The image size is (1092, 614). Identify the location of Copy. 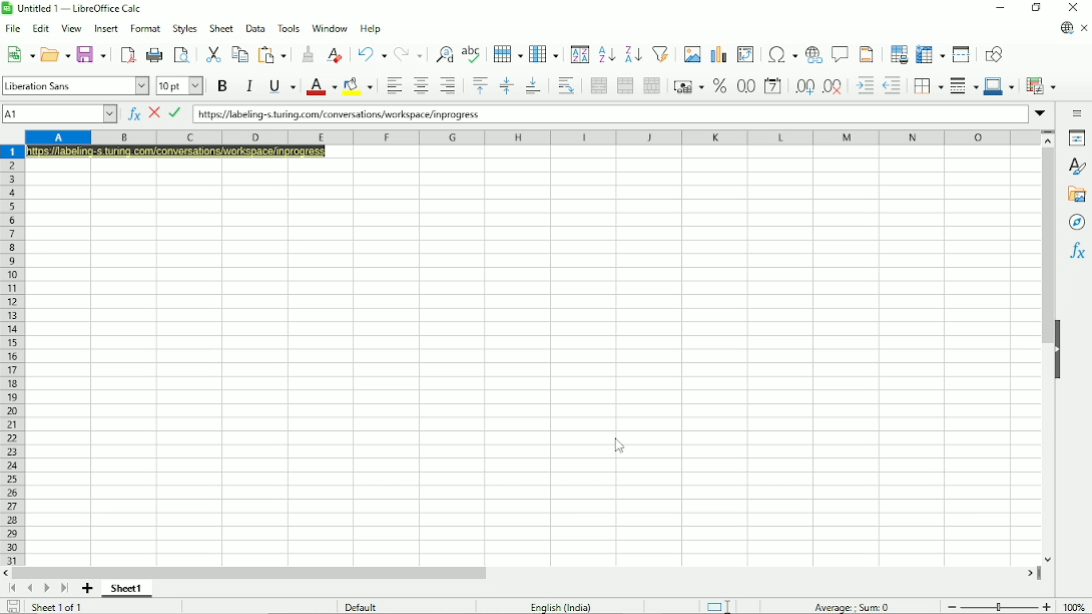
(239, 54).